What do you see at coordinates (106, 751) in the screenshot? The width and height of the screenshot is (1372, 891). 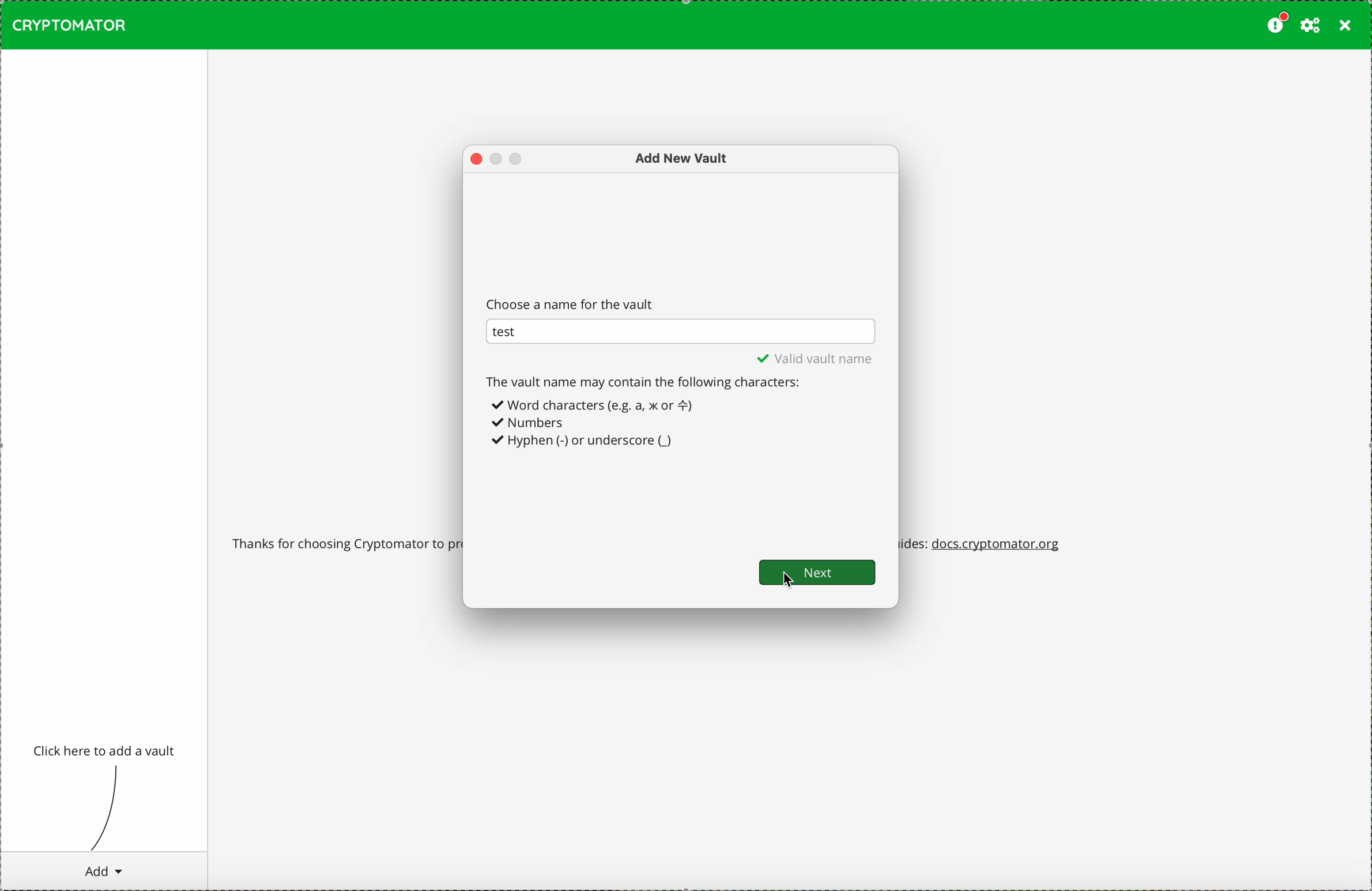 I see `click to add a vault` at bounding box center [106, 751].